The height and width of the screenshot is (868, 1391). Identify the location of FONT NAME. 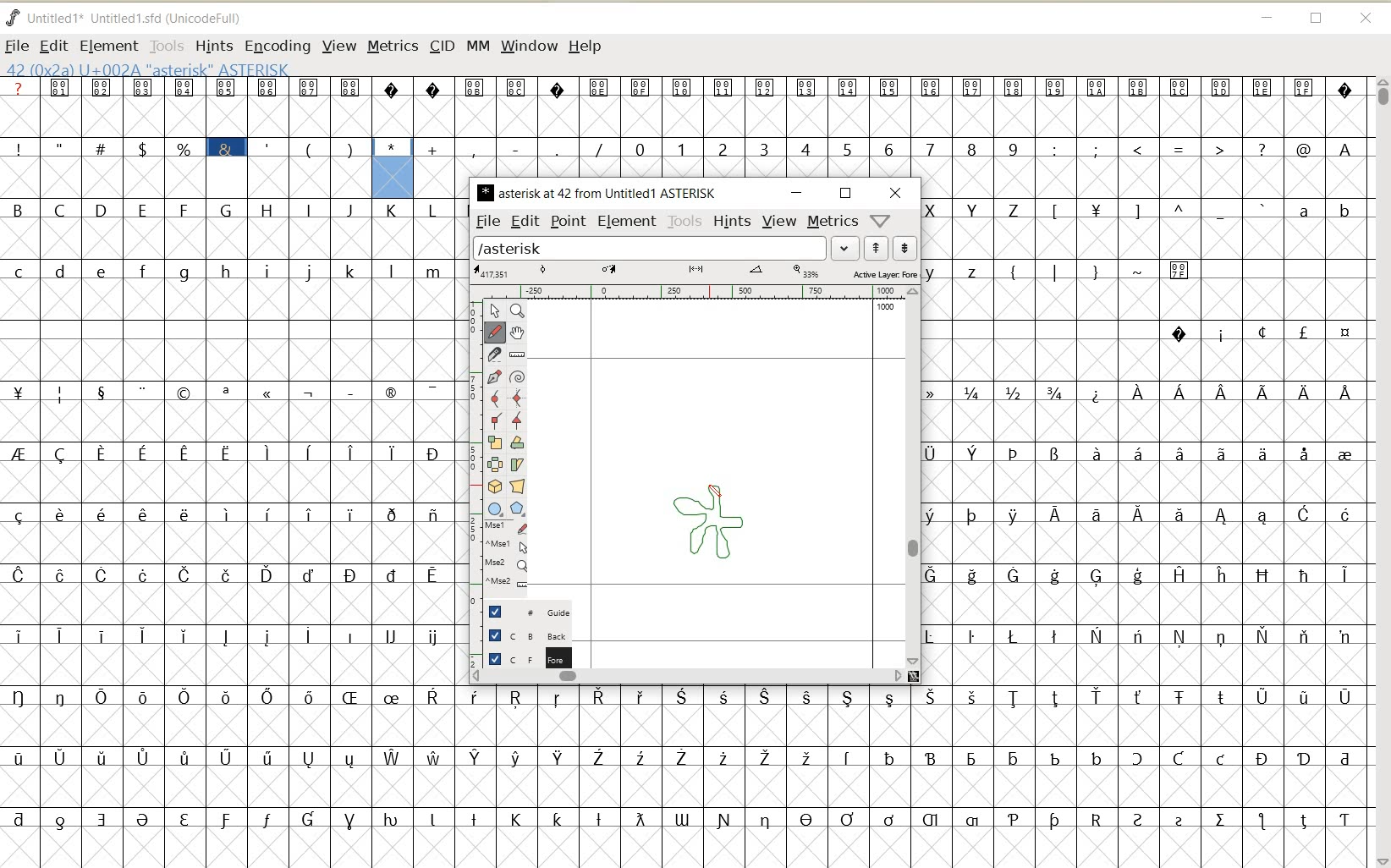
(131, 19).